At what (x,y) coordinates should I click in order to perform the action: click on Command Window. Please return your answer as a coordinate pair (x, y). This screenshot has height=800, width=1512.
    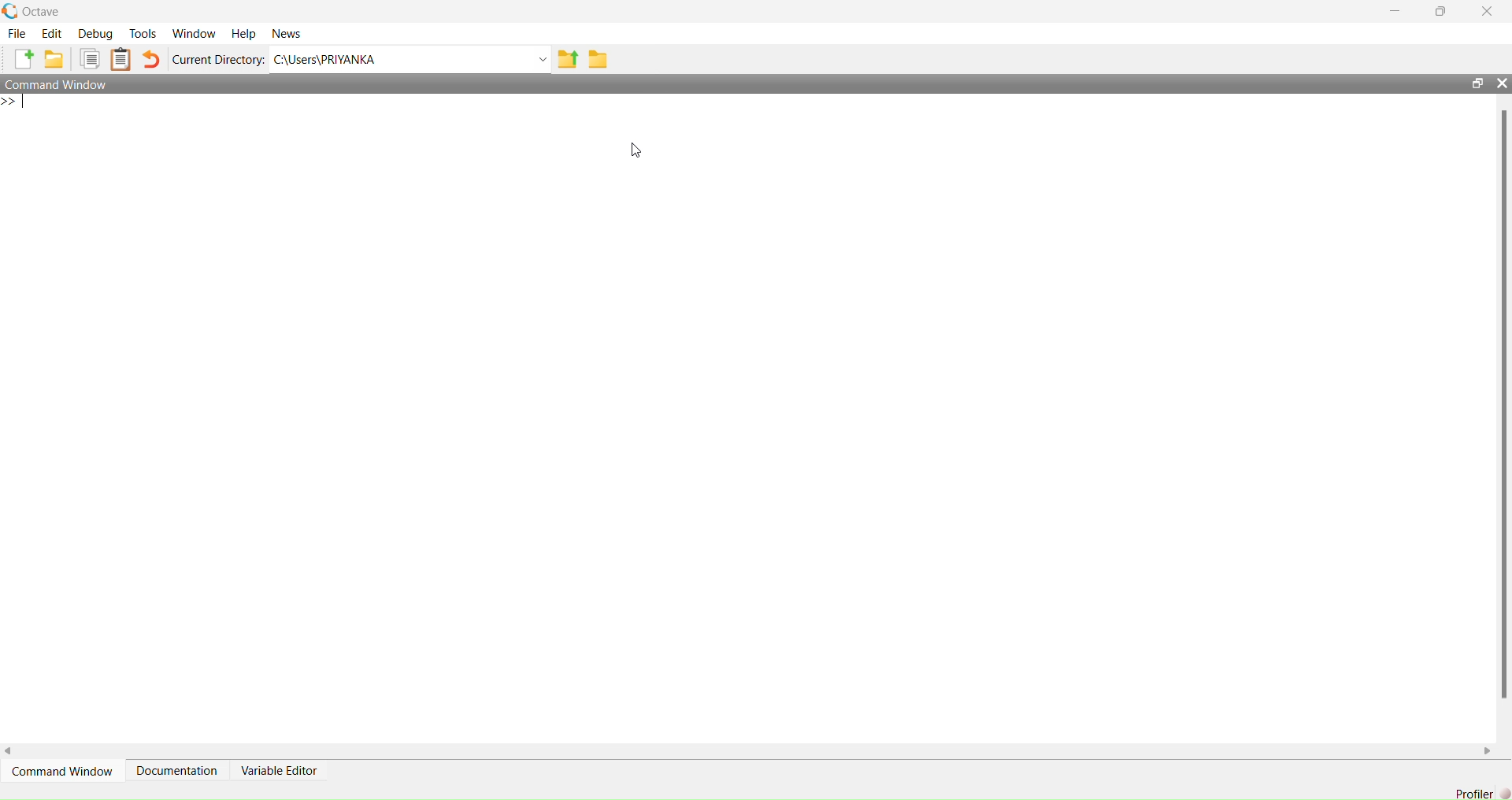
    Looking at the image, I should click on (56, 83).